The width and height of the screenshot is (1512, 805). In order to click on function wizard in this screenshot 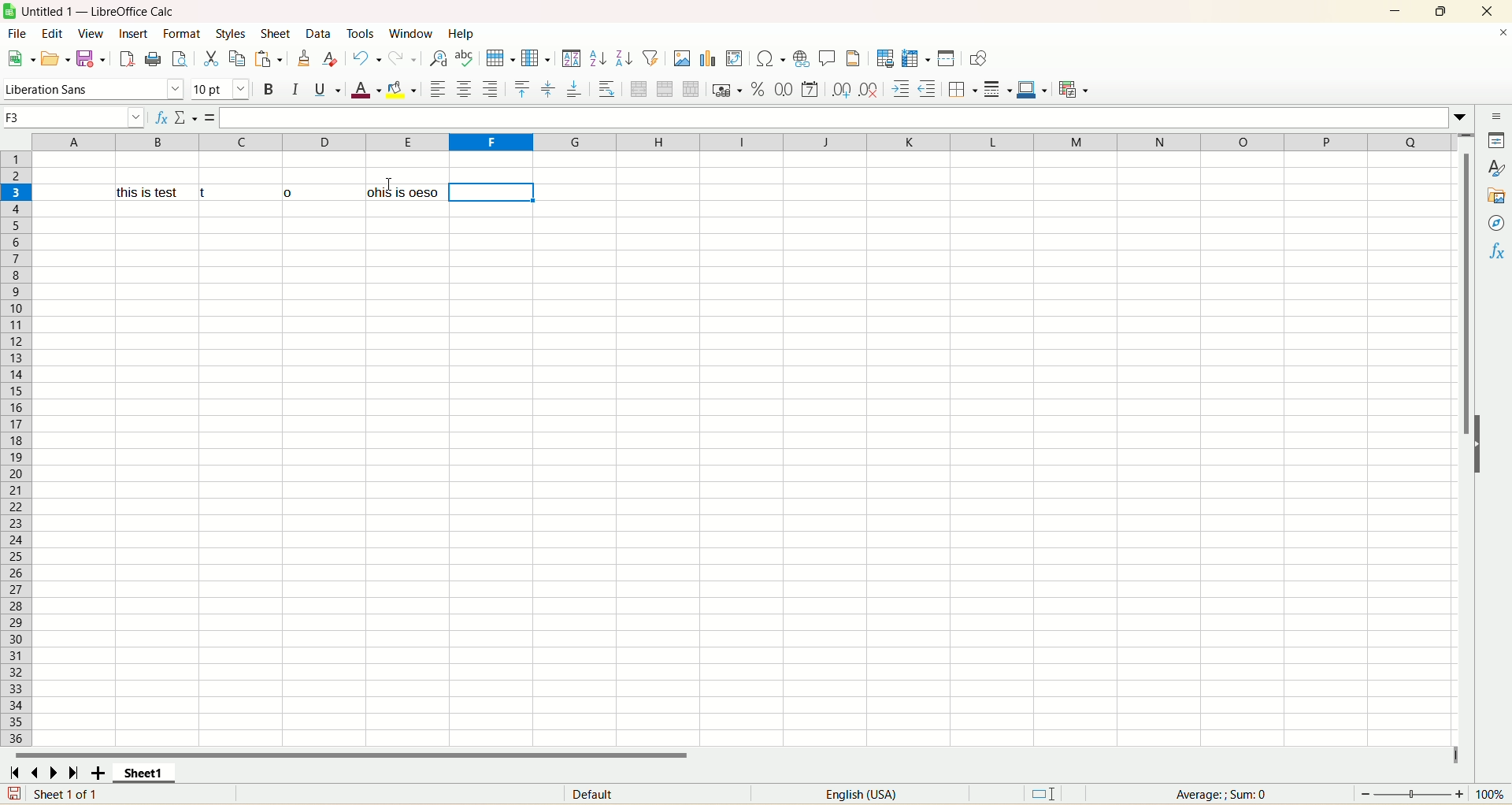, I will do `click(160, 120)`.